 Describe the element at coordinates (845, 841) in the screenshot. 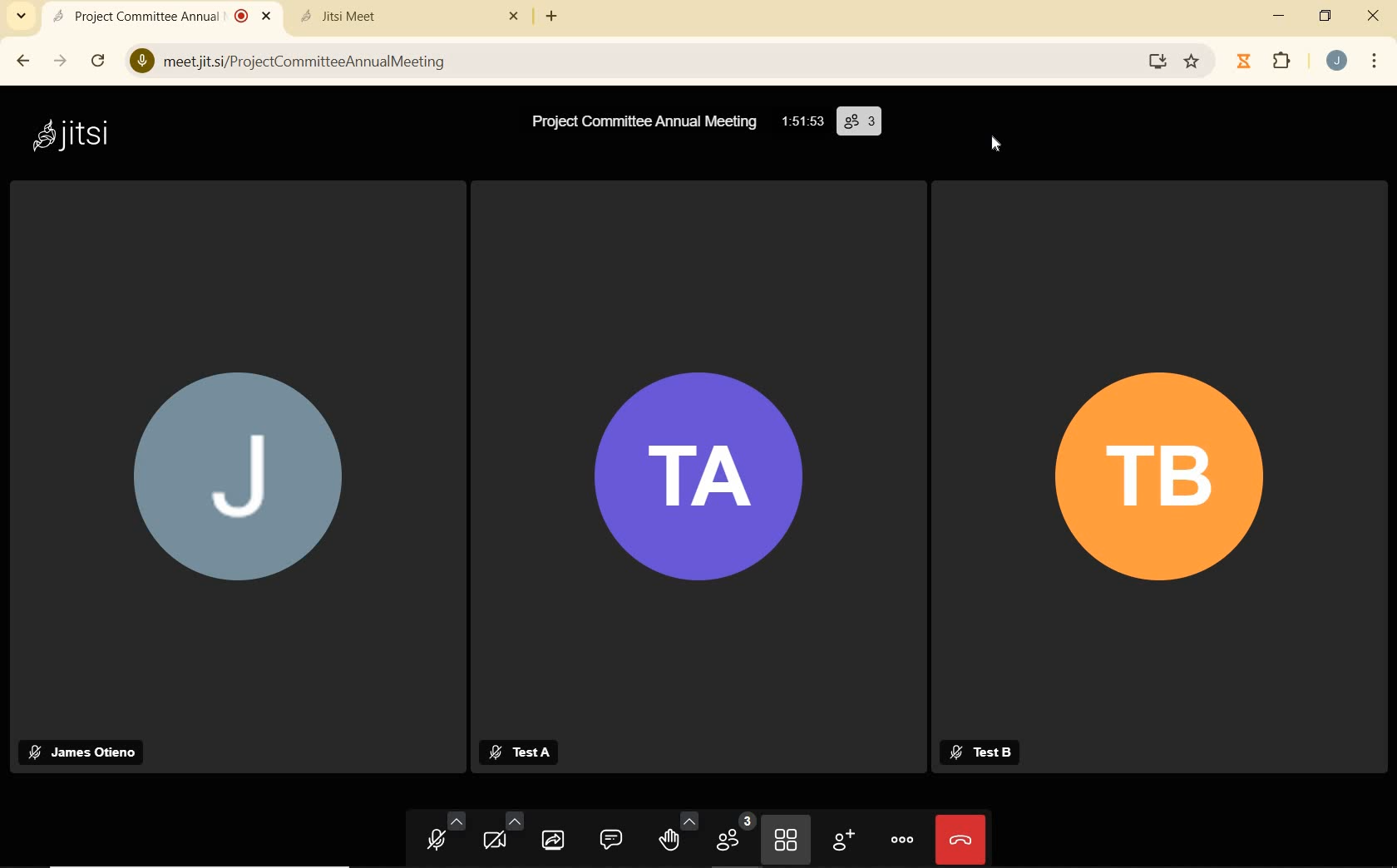

I see `invite people` at that location.